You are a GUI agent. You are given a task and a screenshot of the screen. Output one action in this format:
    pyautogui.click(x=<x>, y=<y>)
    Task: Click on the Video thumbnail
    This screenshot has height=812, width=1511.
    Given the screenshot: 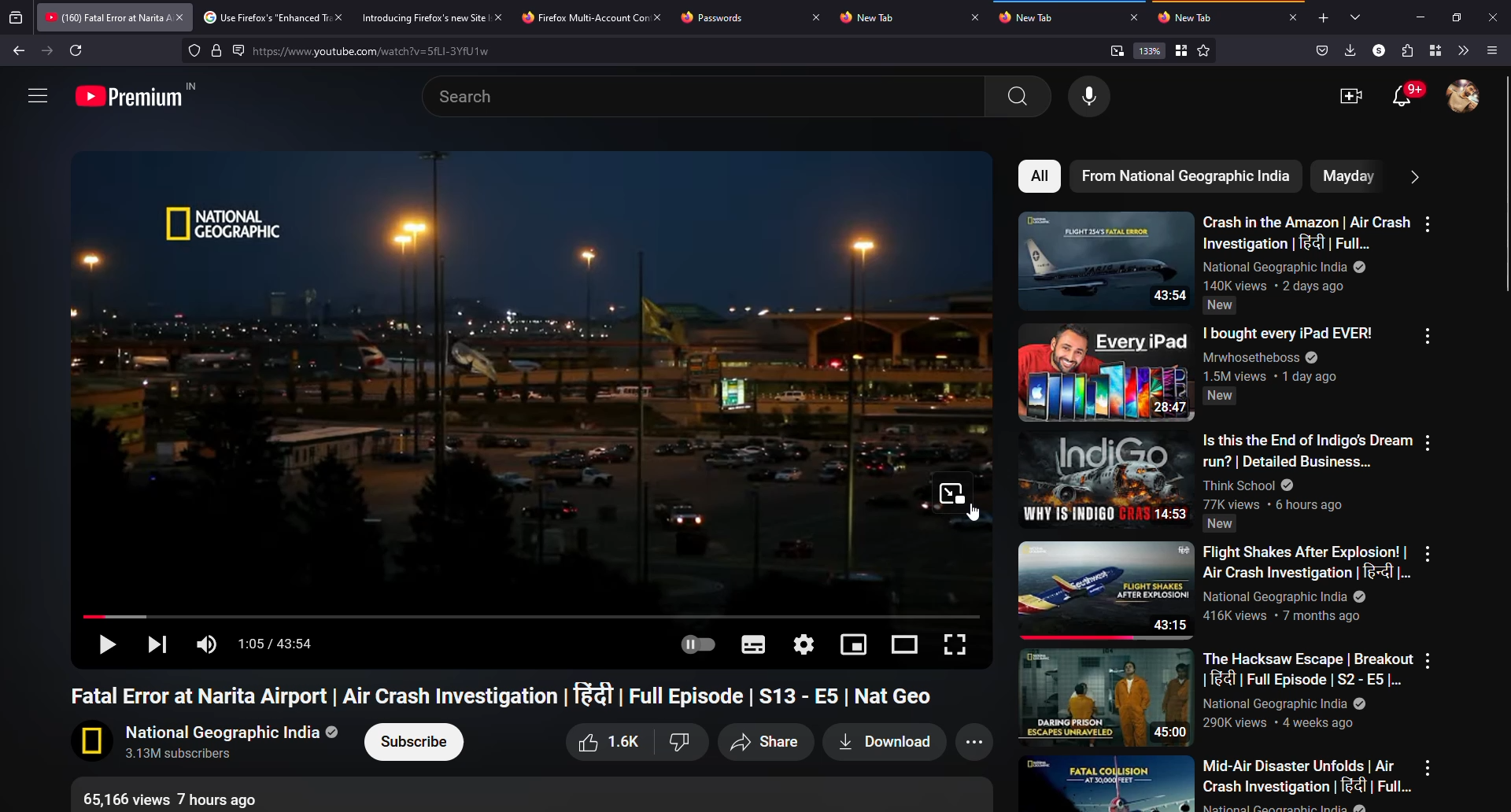 What is the action you would take?
    pyautogui.click(x=1107, y=480)
    